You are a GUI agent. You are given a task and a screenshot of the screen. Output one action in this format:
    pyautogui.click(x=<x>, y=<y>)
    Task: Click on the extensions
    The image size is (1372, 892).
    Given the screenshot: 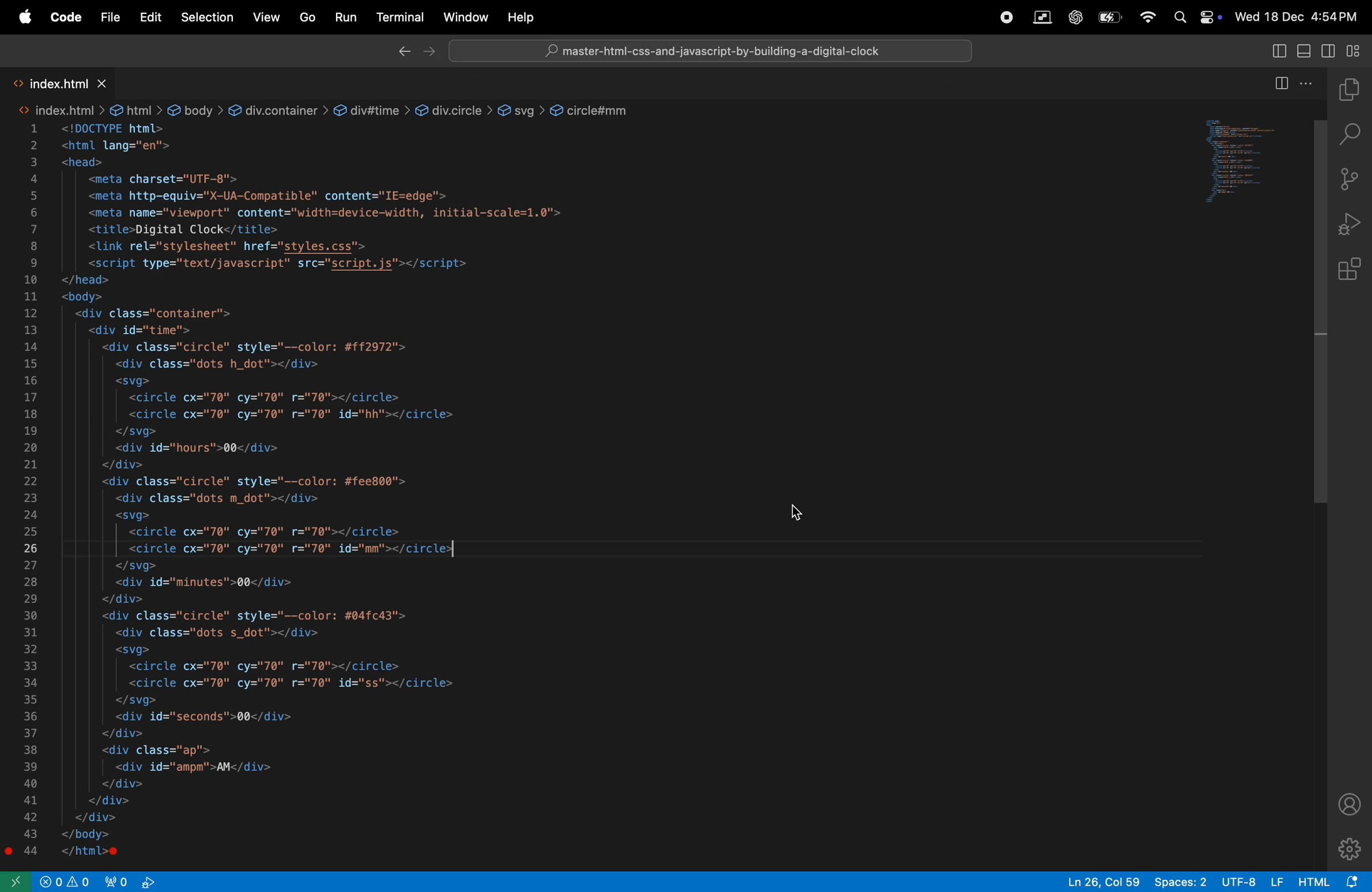 What is the action you would take?
    pyautogui.click(x=1354, y=270)
    